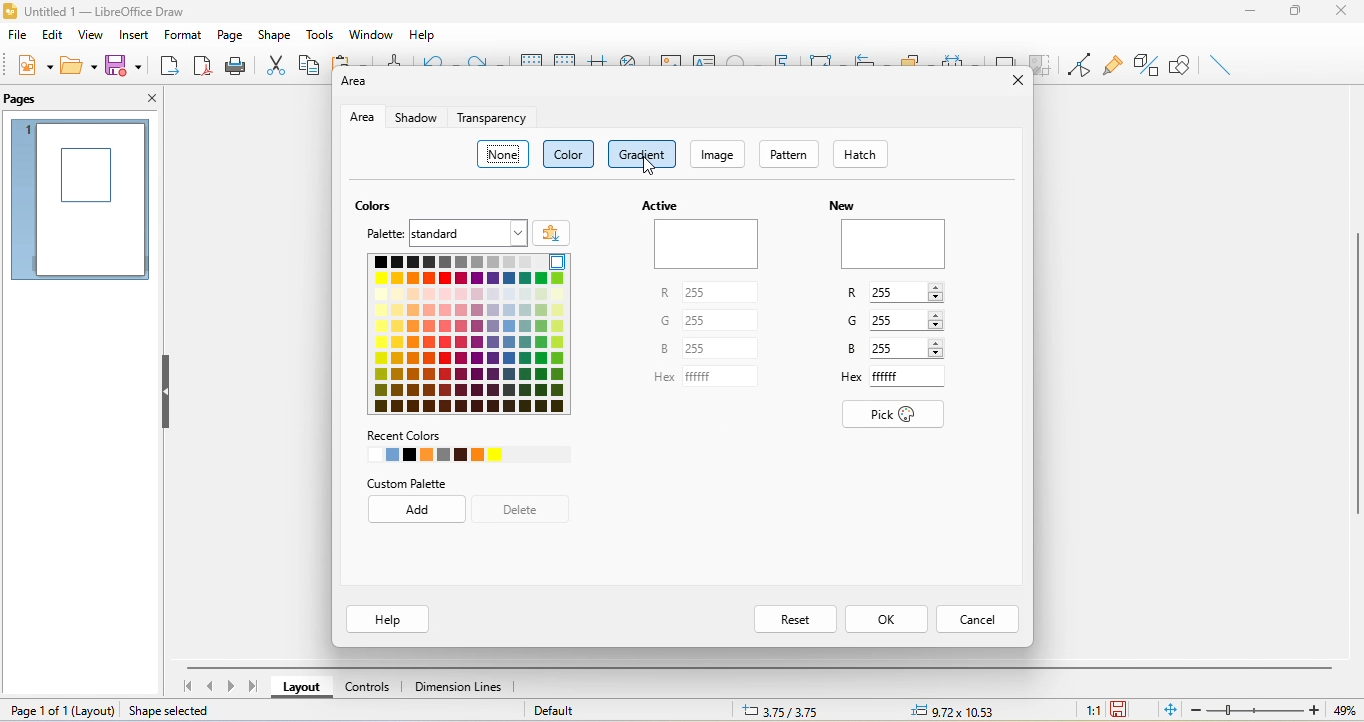 The width and height of the screenshot is (1364, 722). Describe the element at coordinates (303, 687) in the screenshot. I see `layout` at that location.